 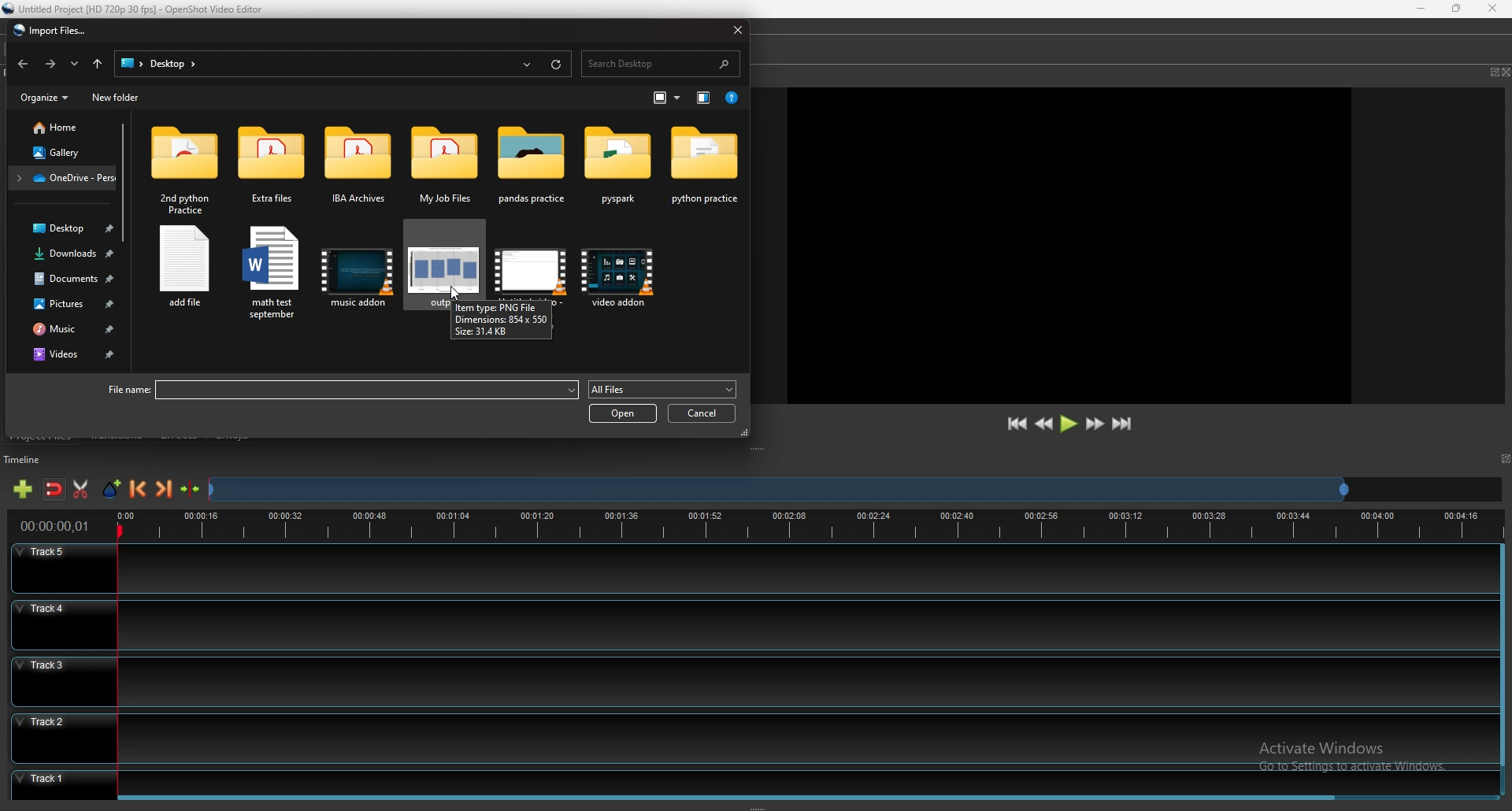 What do you see at coordinates (619, 283) in the screenshot?
I see `file` at bounding box center [619, 283].